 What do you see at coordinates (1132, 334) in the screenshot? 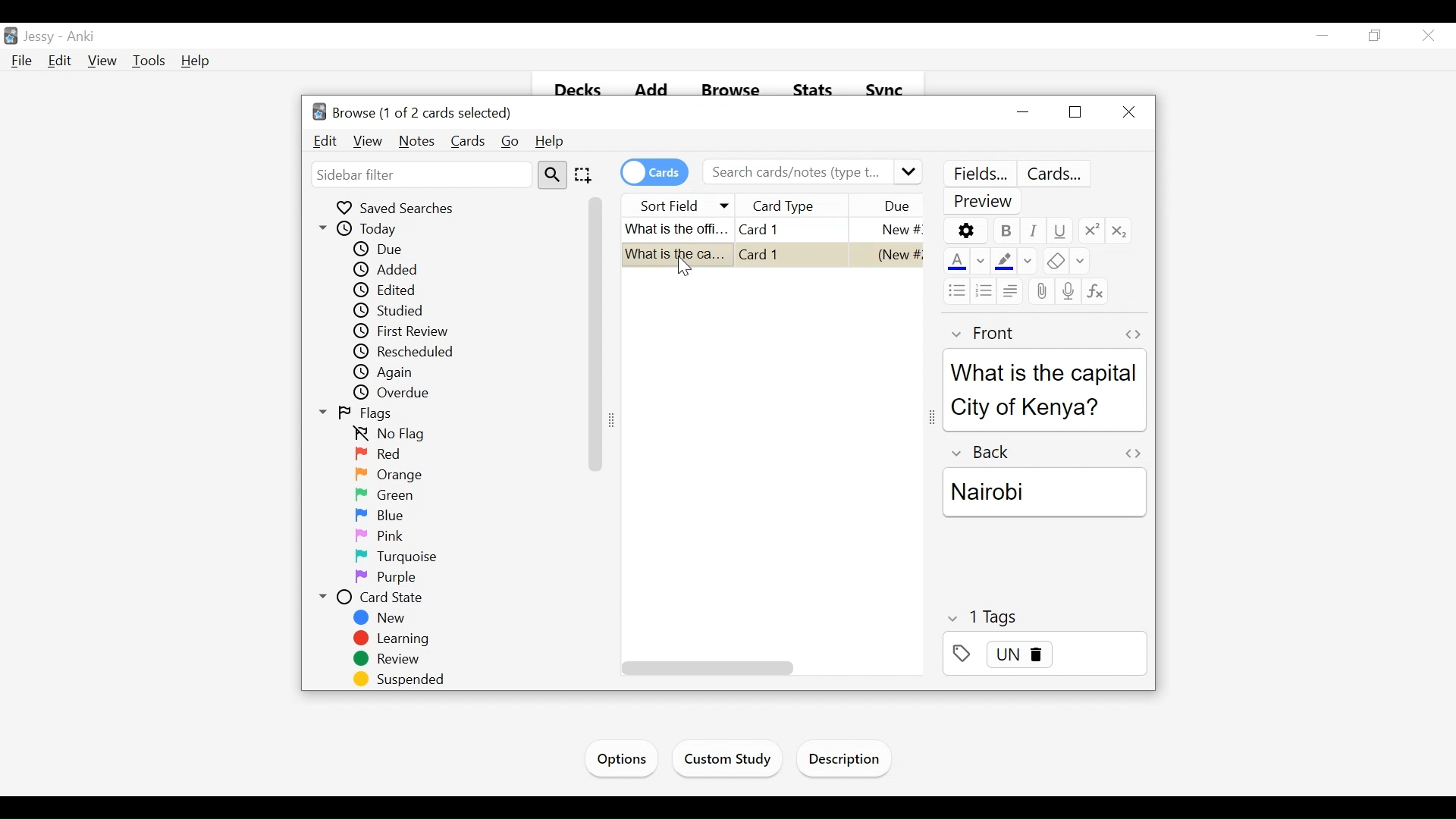
I see `Toggle HTML Editor` at bounding box center [1132, 334].